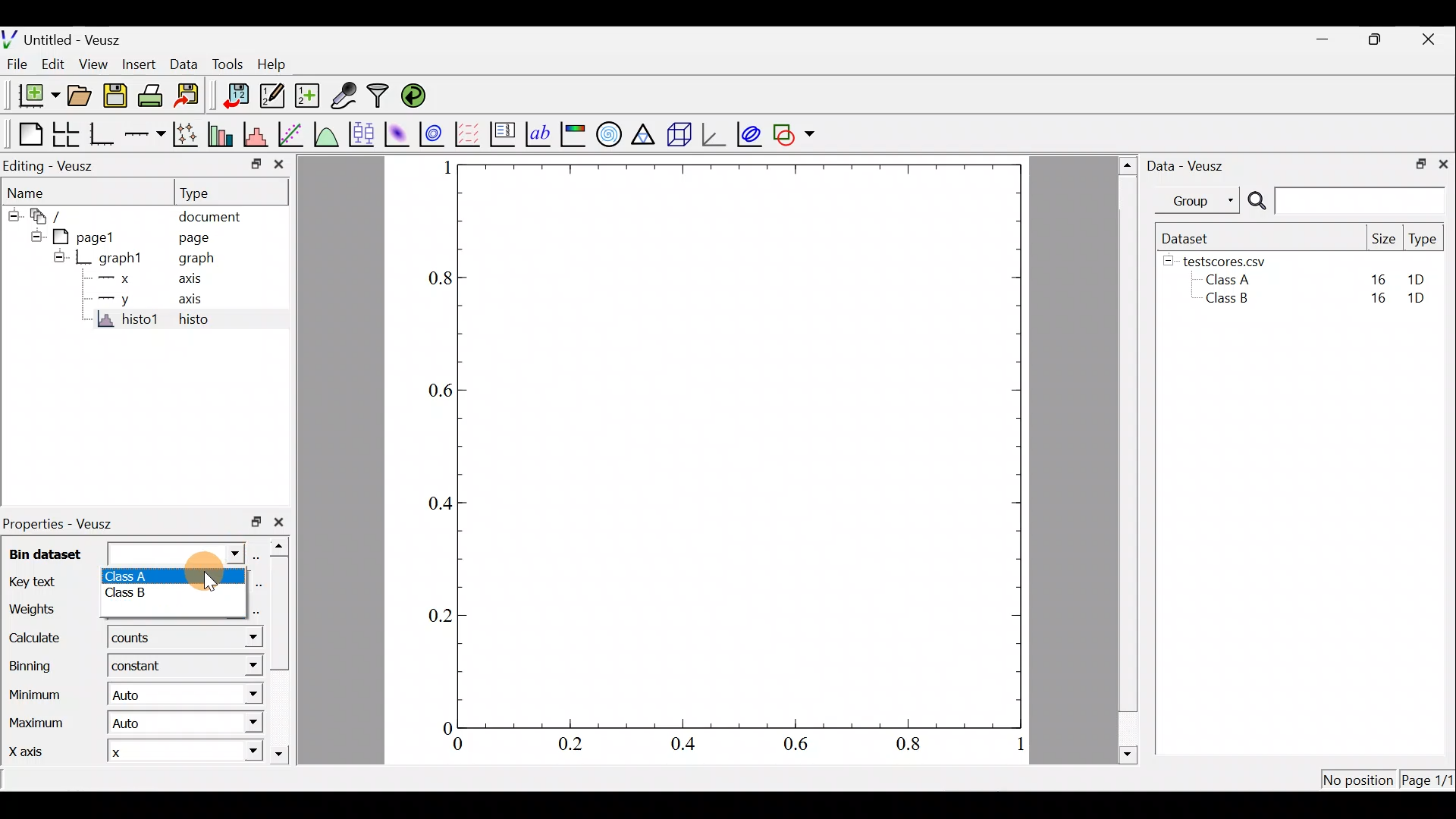 The image size is (1456, 819). What do you see at coordinates (143, 725) in the screenshot?
I see `Auto` at bounding box center [143, 725].